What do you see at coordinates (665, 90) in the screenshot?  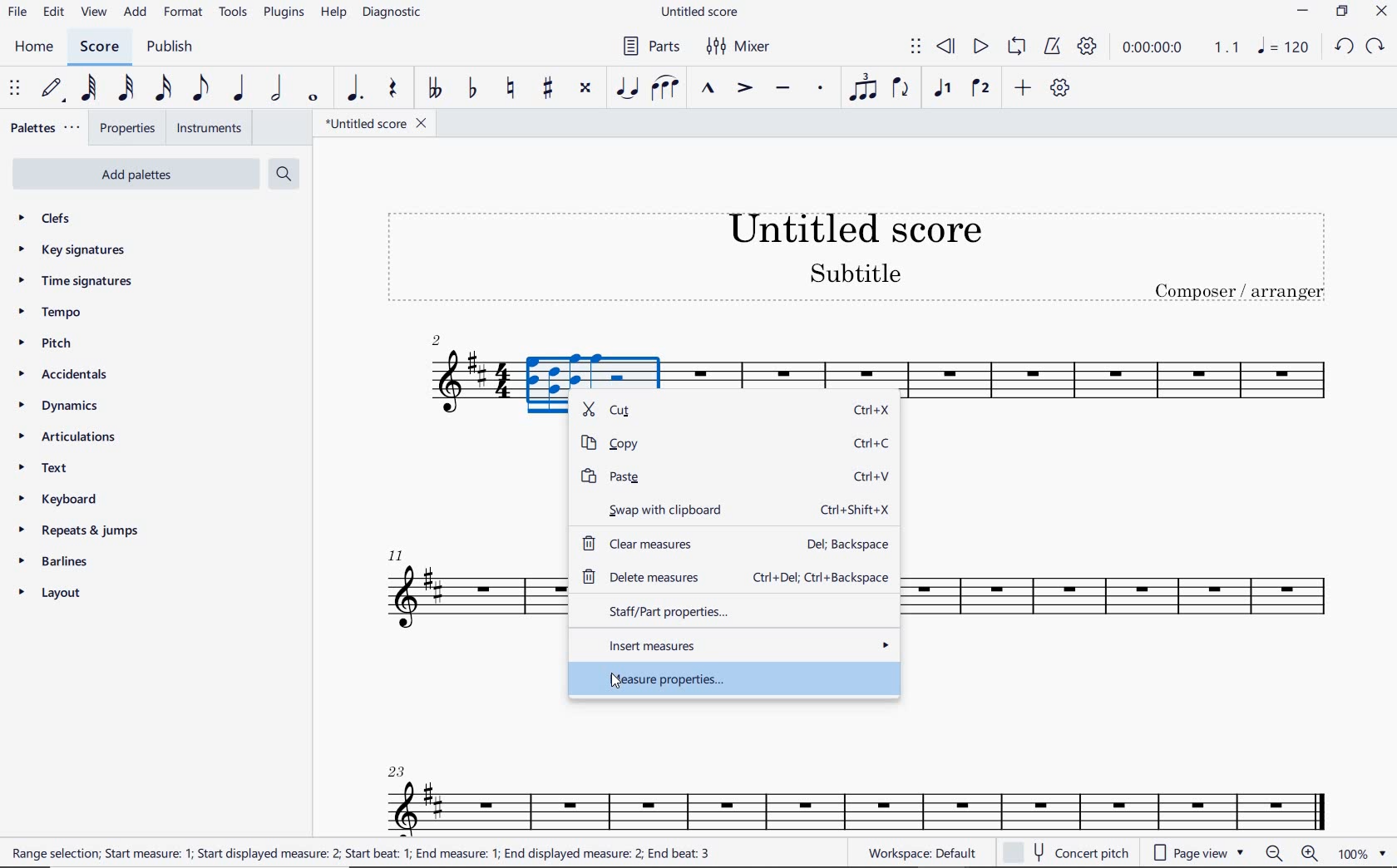 I see `SLUR` at bounding box center [665, 90].